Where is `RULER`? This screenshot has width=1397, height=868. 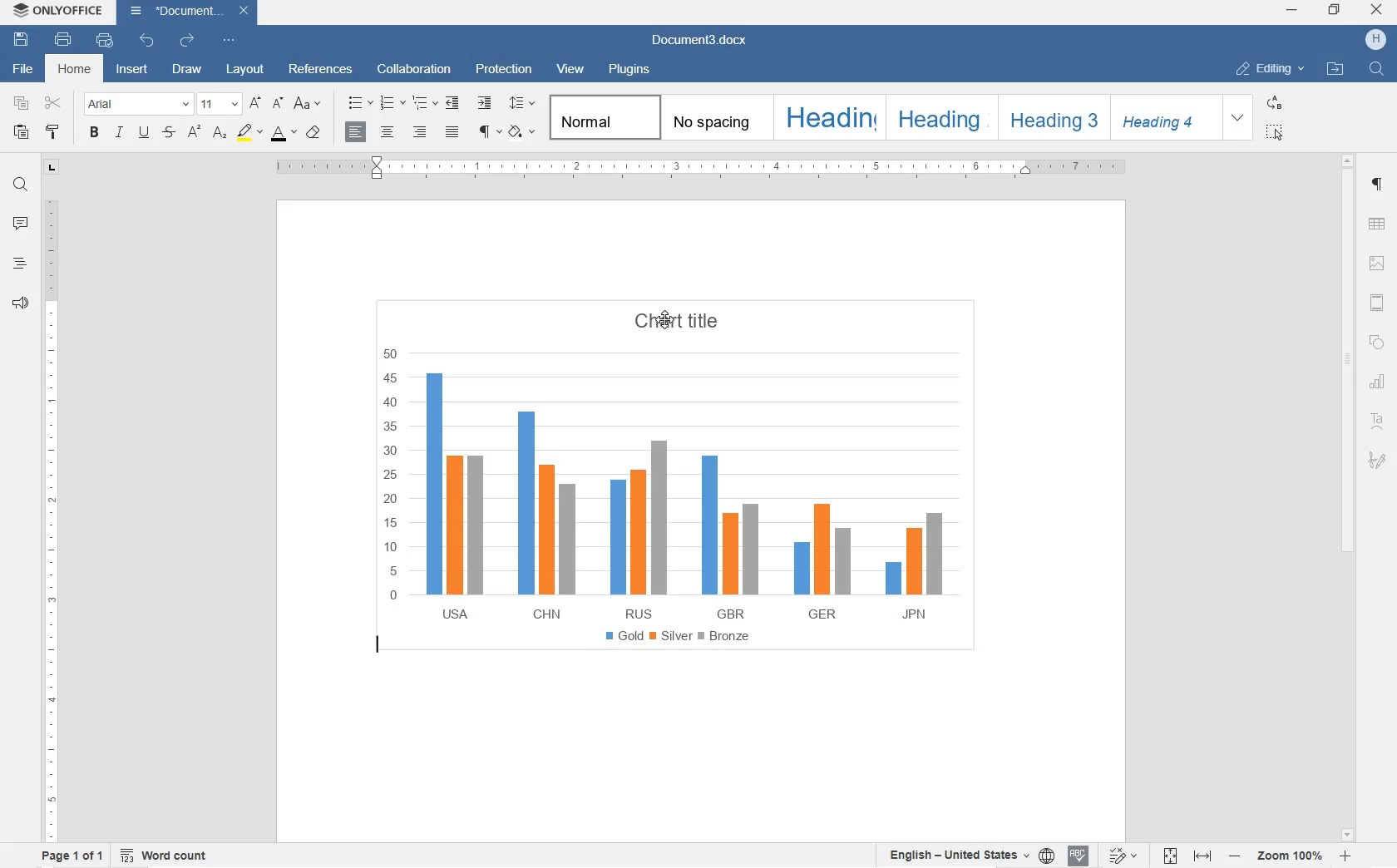
RULER is located at coordinates (693, 169).